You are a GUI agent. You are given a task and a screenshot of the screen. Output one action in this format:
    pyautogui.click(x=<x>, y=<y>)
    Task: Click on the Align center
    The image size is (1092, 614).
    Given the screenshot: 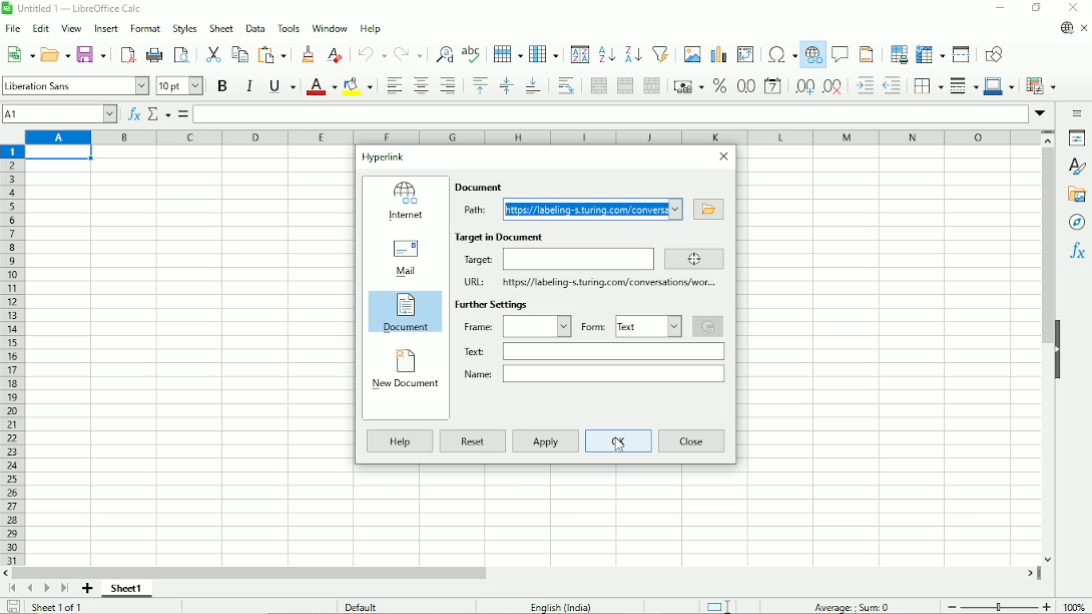 What is the action you would take?
    pyautogui.click(x=421, y=86)
    